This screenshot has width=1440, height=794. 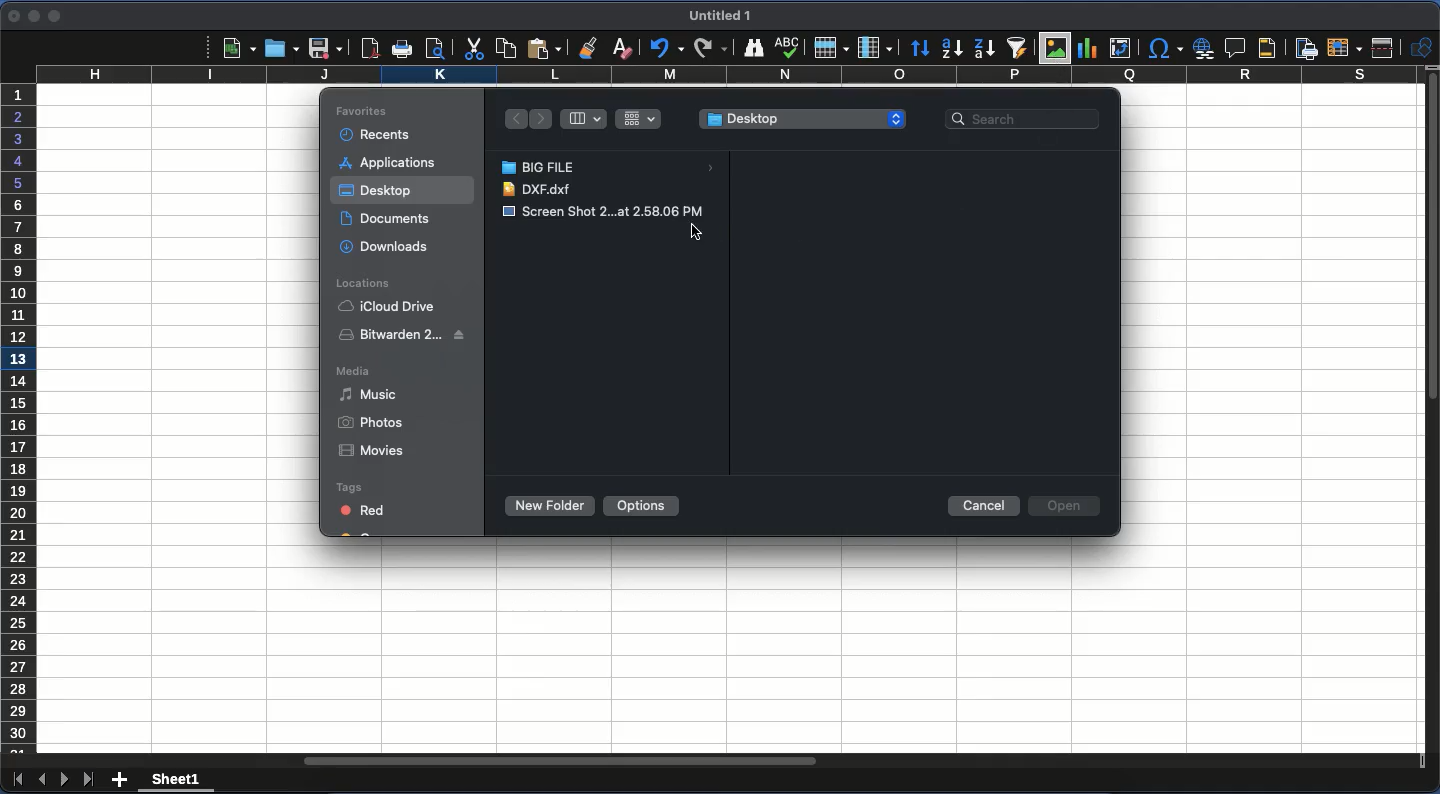 I want to click on sheet , so click(x=176, y=782).